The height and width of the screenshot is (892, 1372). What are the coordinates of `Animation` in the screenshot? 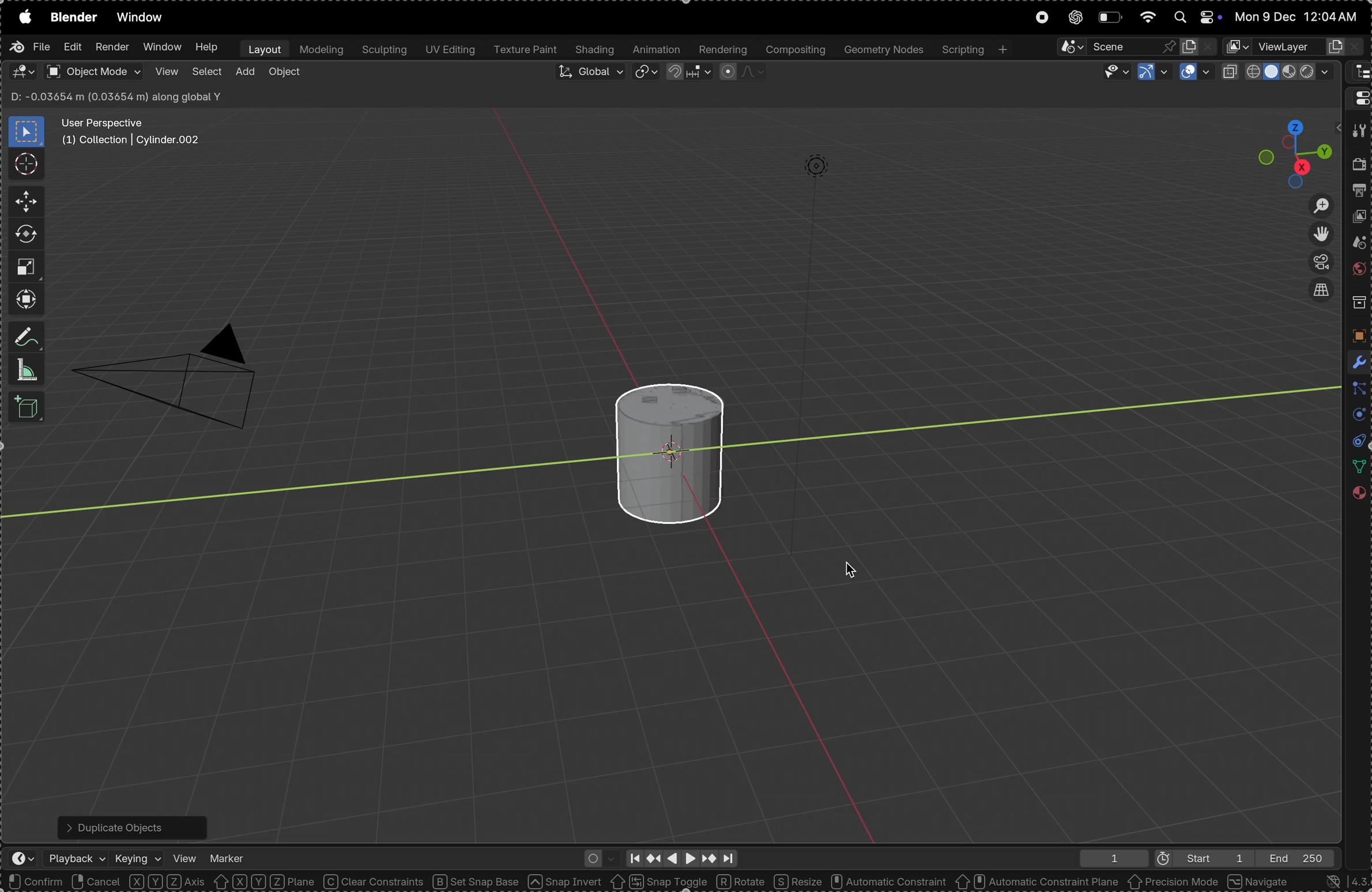 It's located at (657, 50).